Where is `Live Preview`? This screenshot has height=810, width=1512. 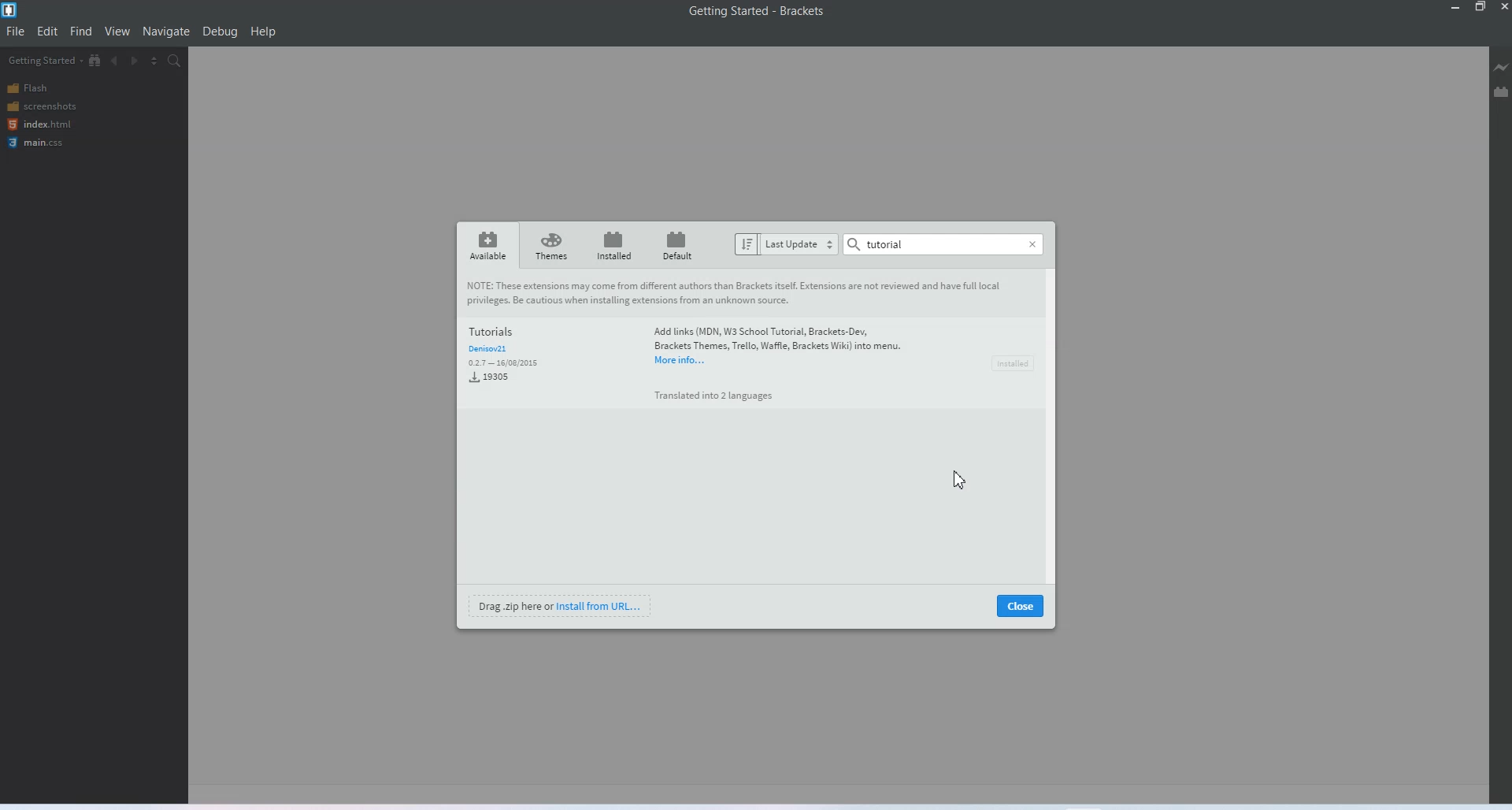
Live Preview is located at coordinates (1499, 67).